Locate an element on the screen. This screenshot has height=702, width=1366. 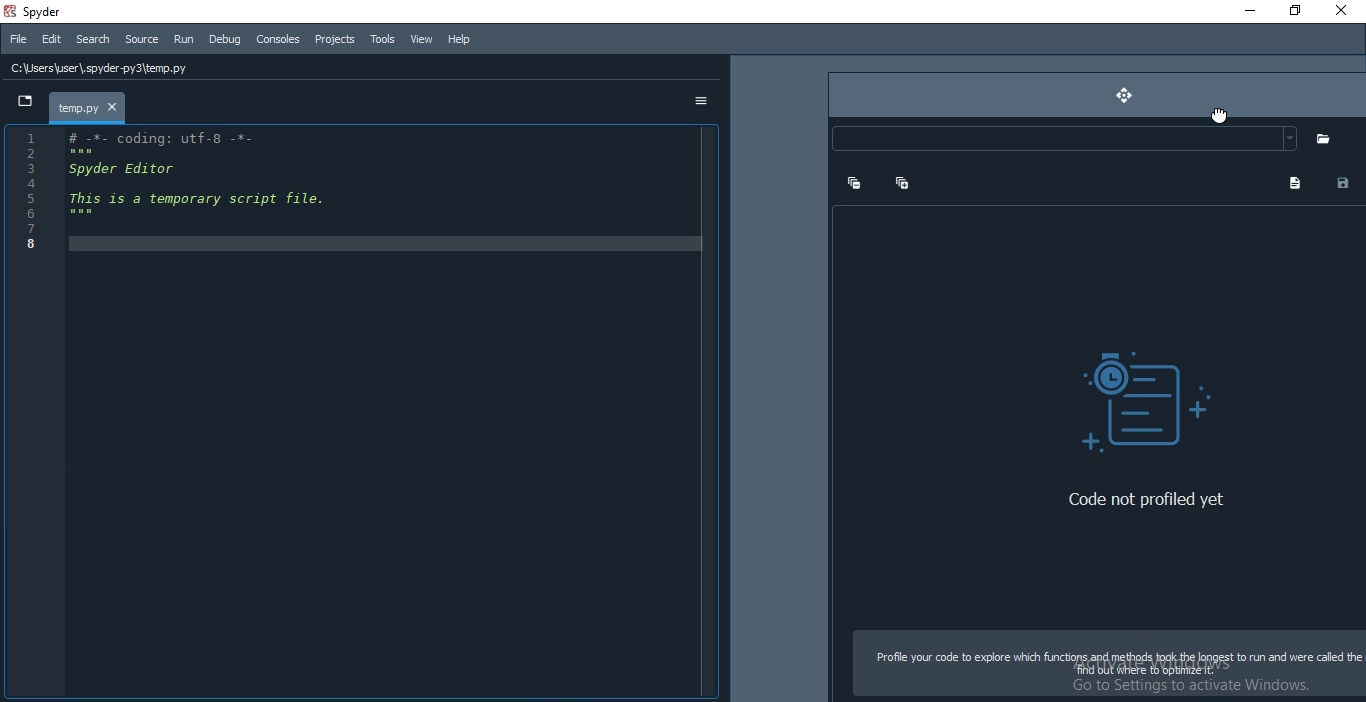
Close is located at coordinates (1343, 11).